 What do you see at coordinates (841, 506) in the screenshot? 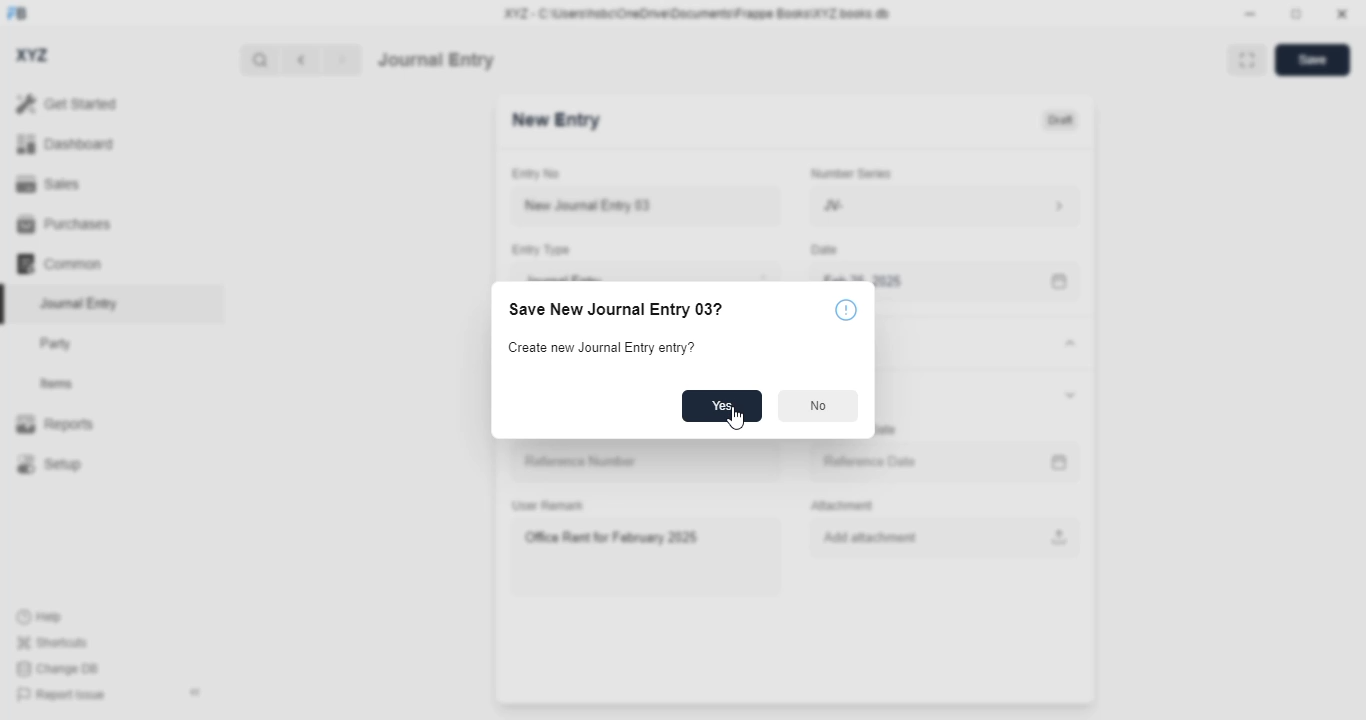
I see `attachment` at bounding box center [841, 506].